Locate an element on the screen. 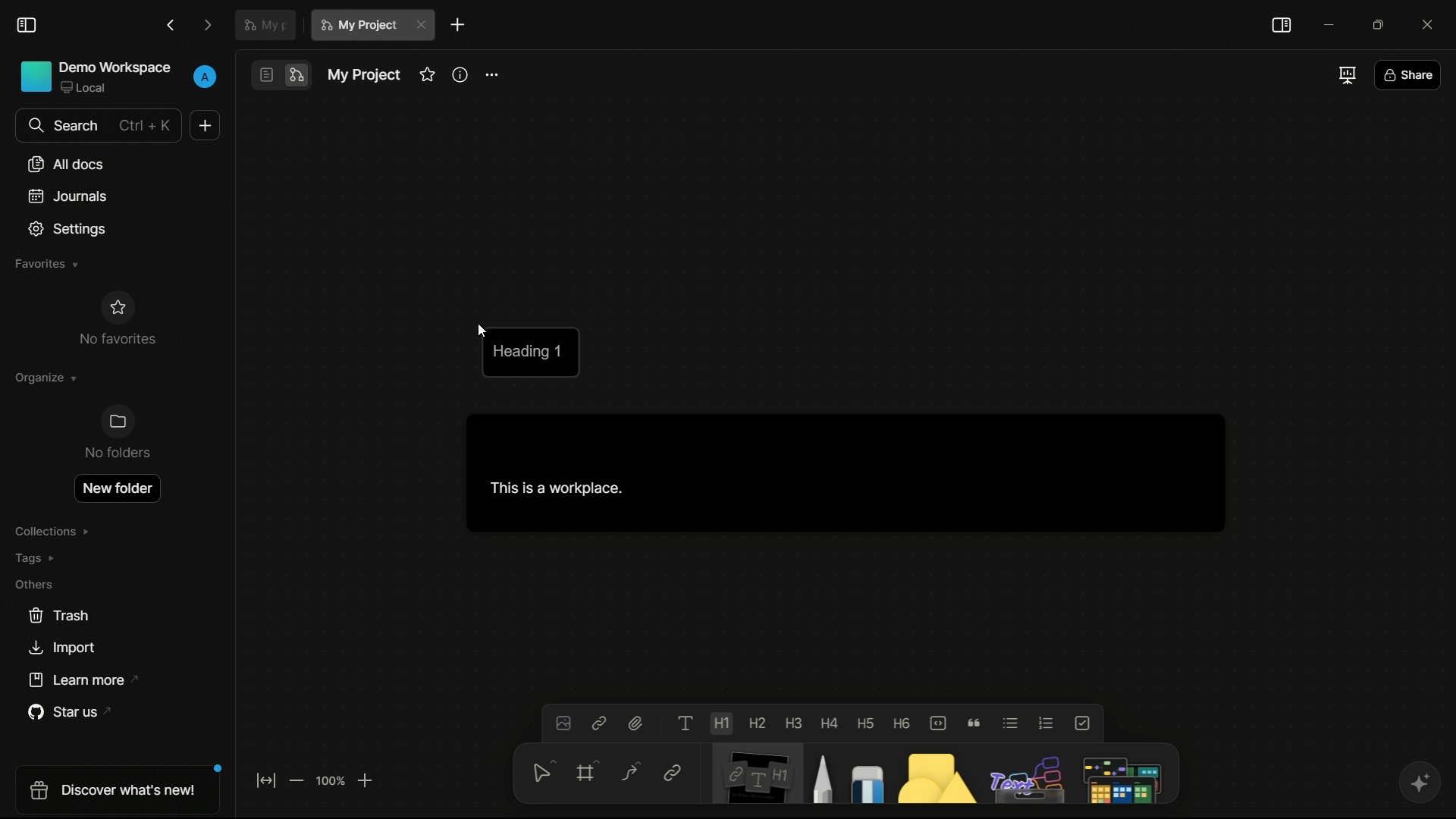 The image size is (1456, 819). to do list is located at coordinates (1084, 720).